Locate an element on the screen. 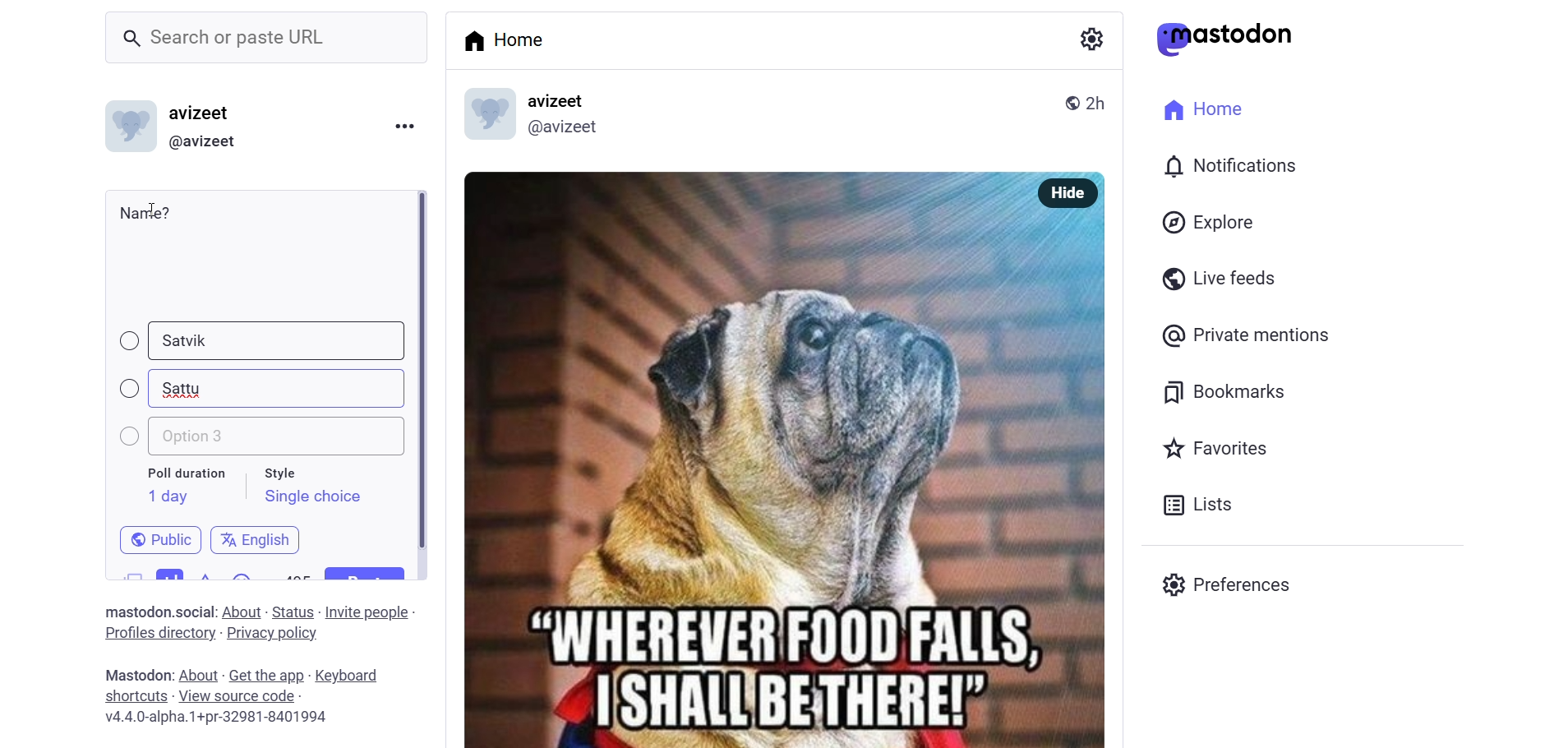 This screenshot has height=748, width=1568. keyboard is located at coordinates (354, 676).